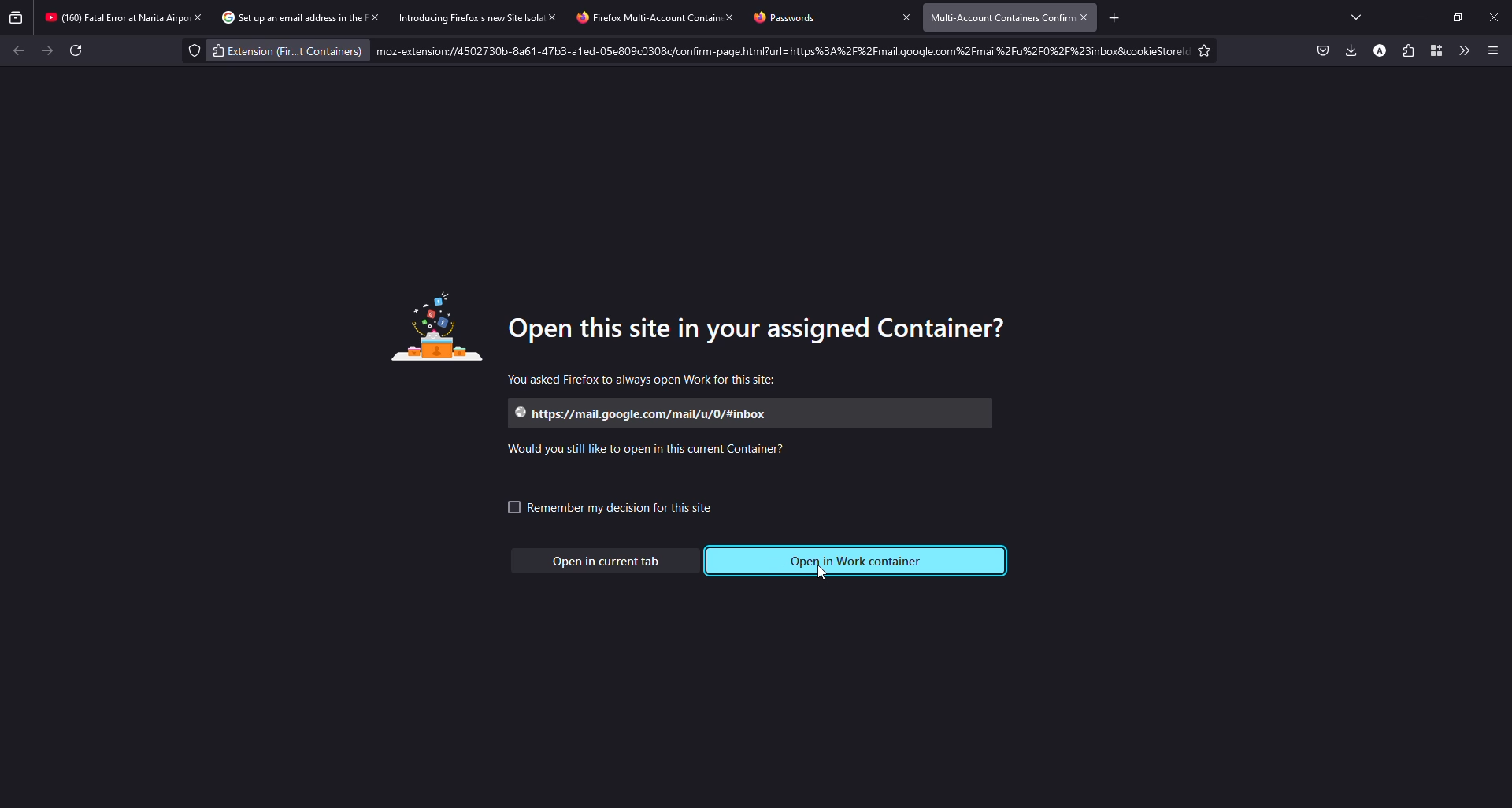  What do you see at coordinates (1496, 16) in the screenshot?
I see `close` at bounding box center [1496, 16].